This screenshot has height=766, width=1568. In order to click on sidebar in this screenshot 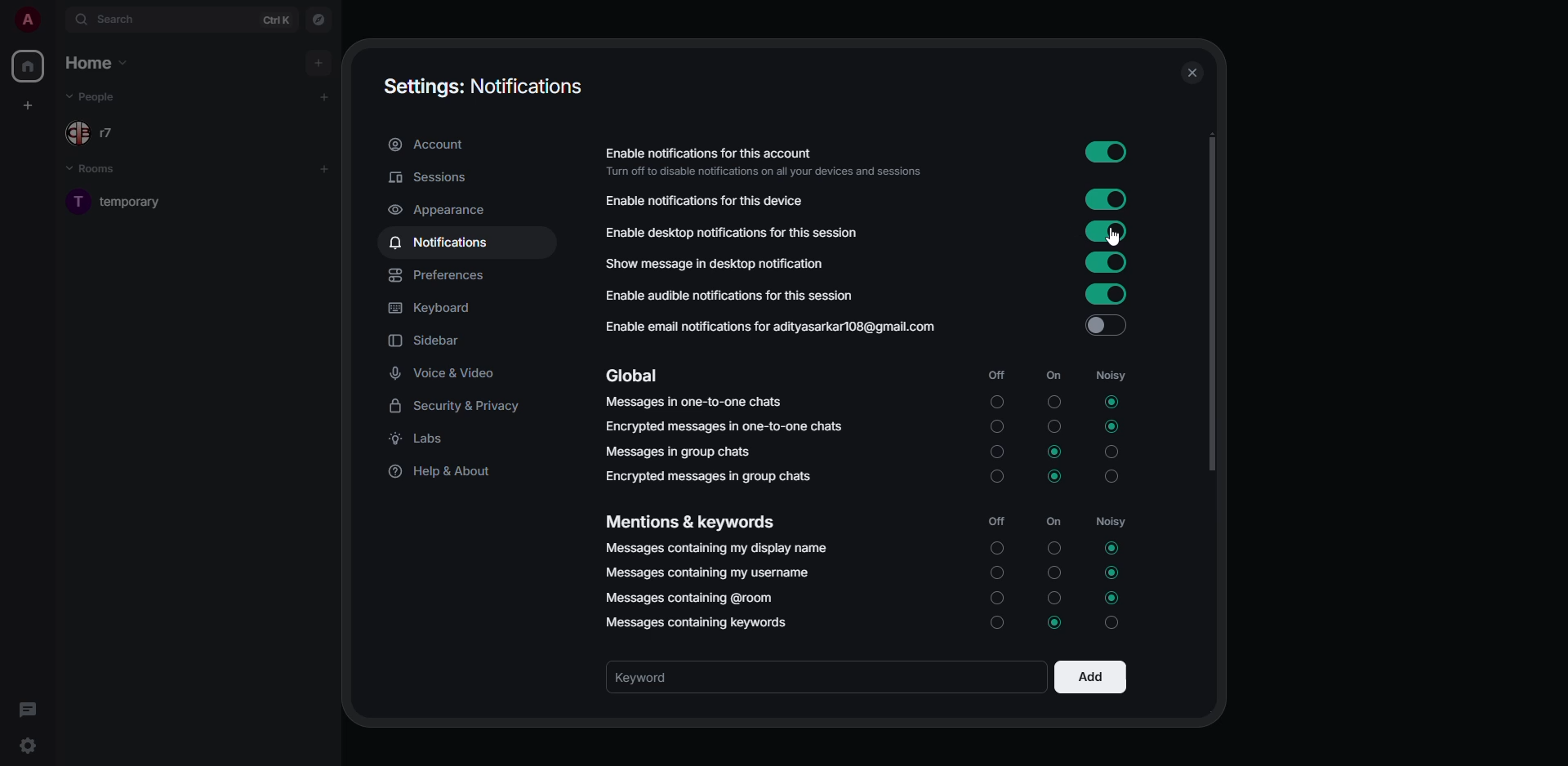, I will do `click(426, 341)`.